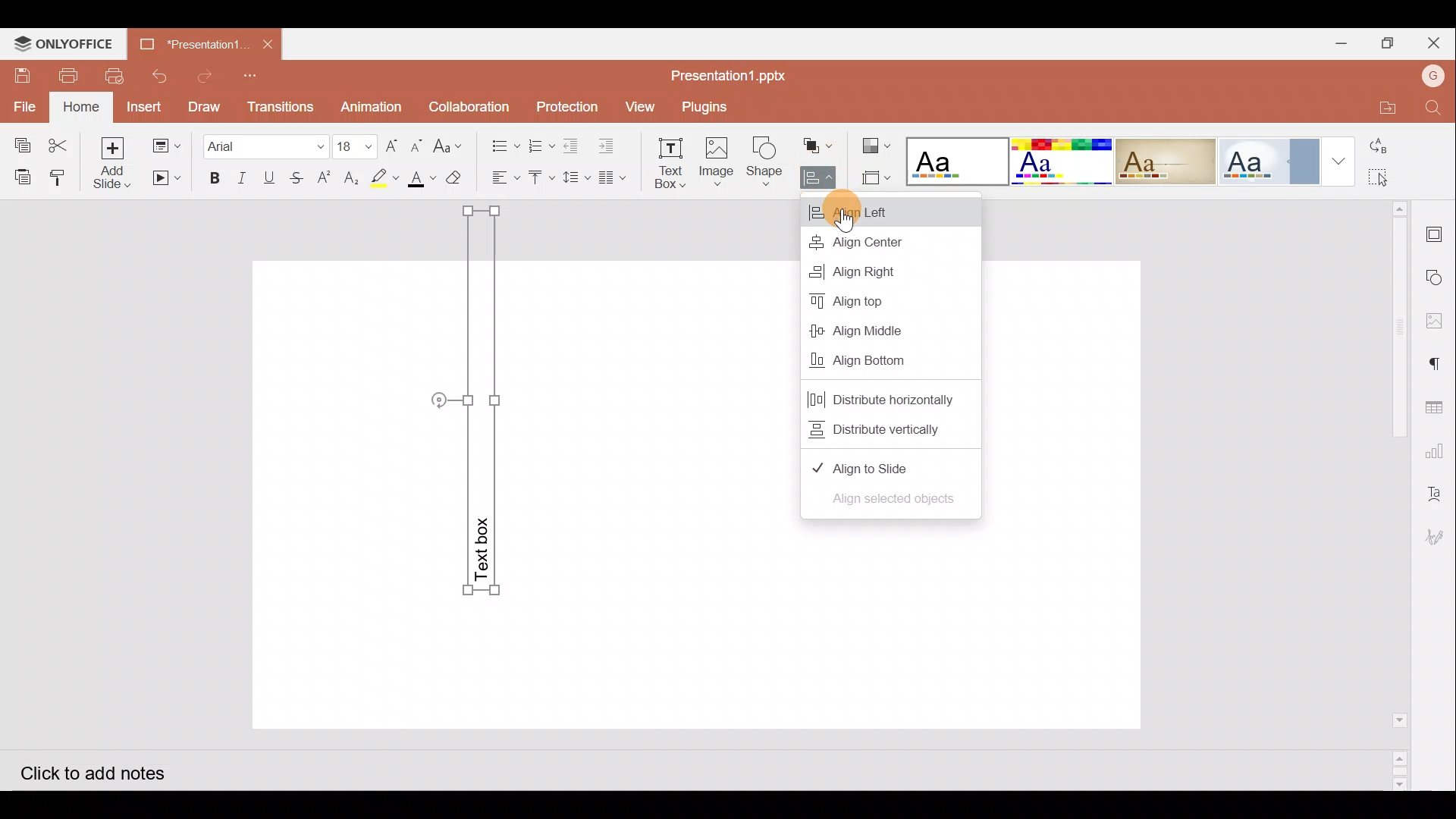 This screenshot has height=819, width=1456. I want to click on Underline, so click(269, 177).